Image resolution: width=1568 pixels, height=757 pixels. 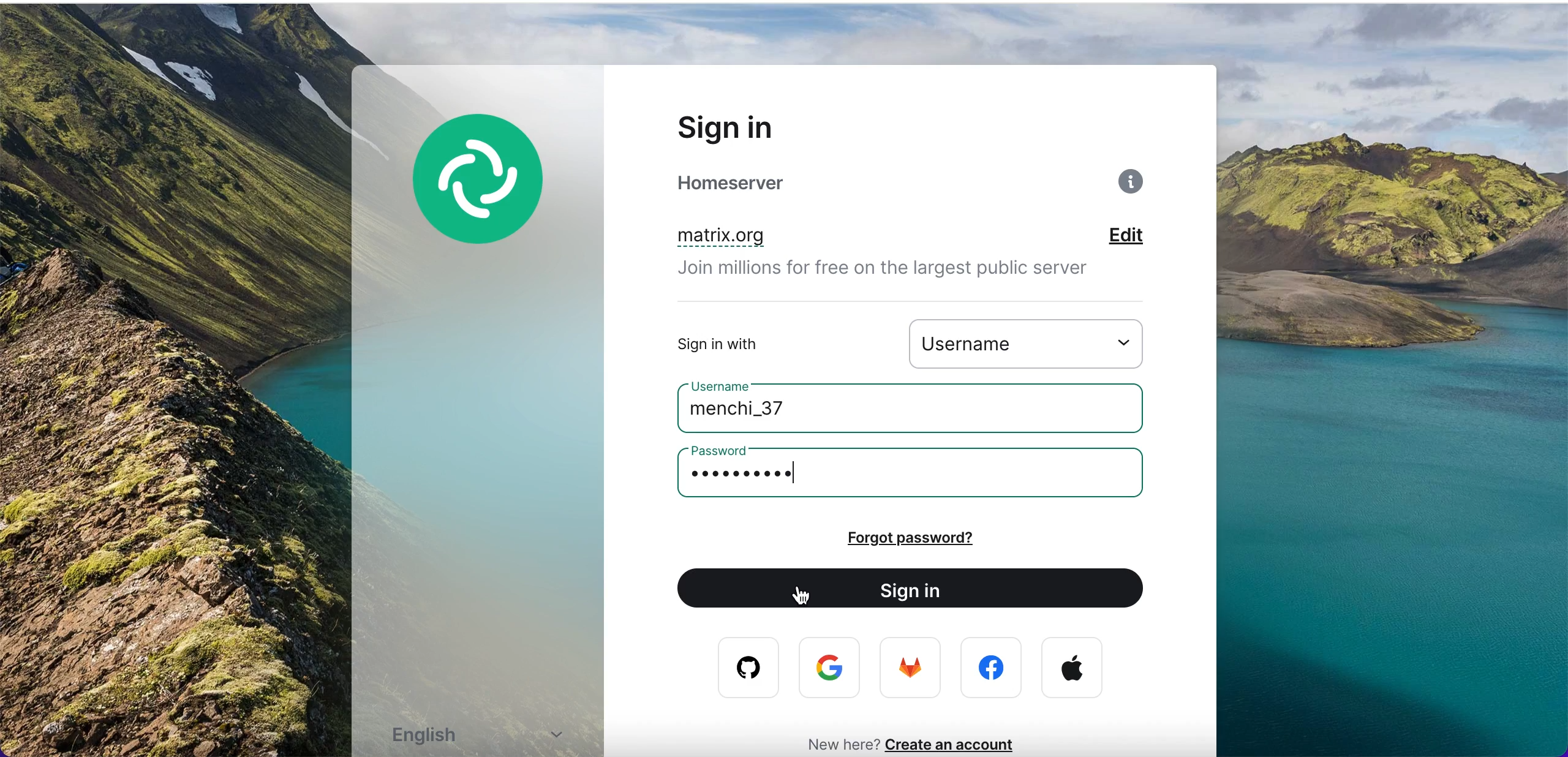 I want to click on sign in with, so click(x=756, y=344).